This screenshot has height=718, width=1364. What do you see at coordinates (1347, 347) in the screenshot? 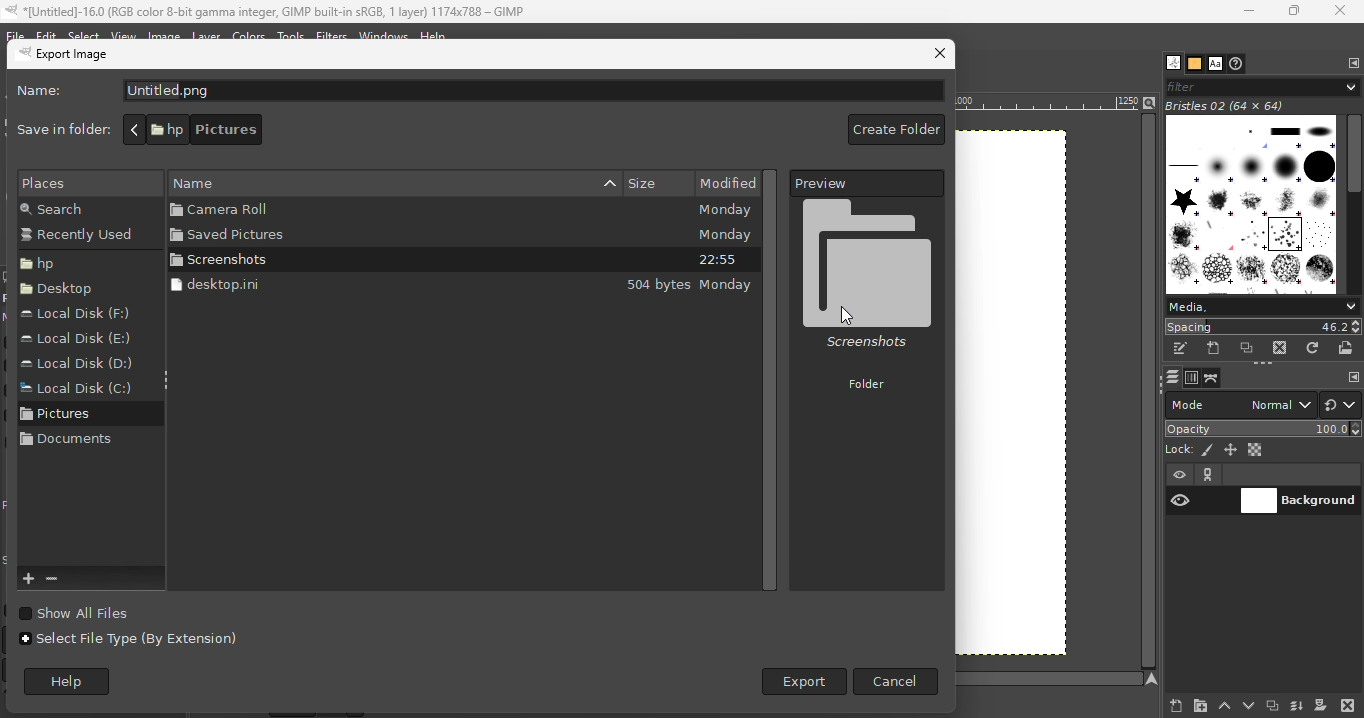
I see `Open brush as image` at bounding box center [1347, 347].